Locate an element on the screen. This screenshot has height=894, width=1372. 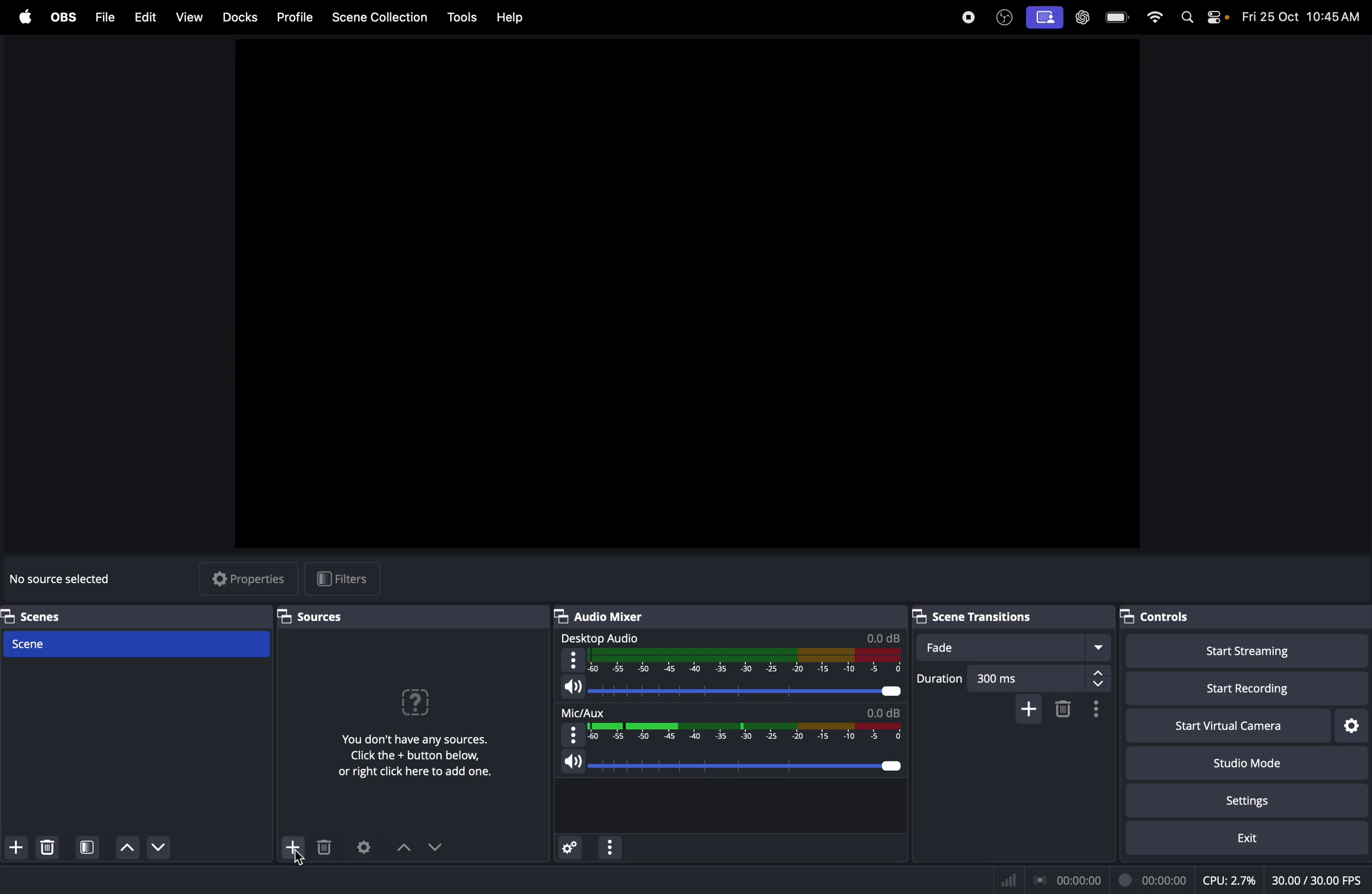
Scene is located at coordinates (140, 642).